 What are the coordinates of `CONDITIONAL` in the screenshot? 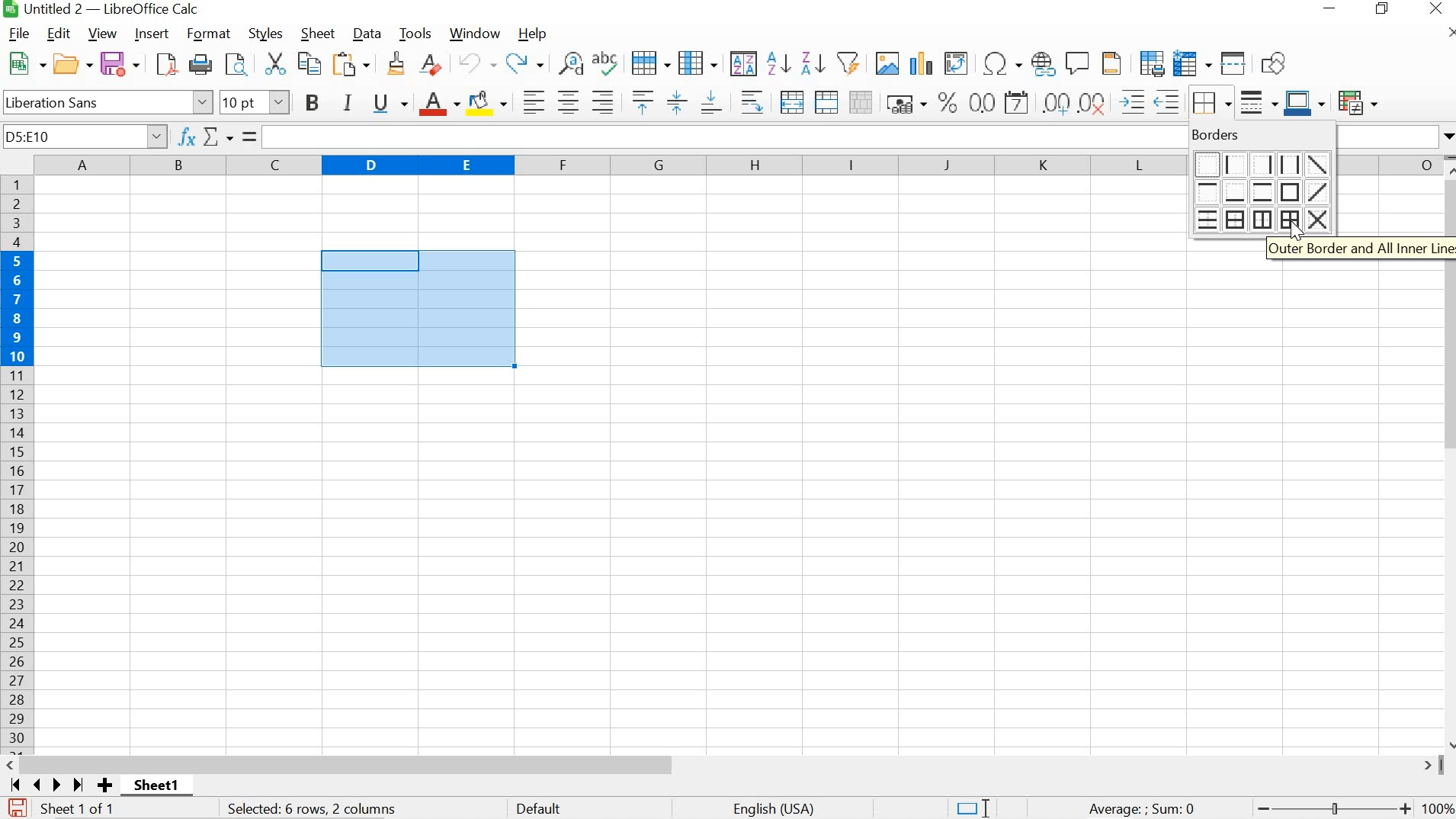 It's located at (1357, 101).